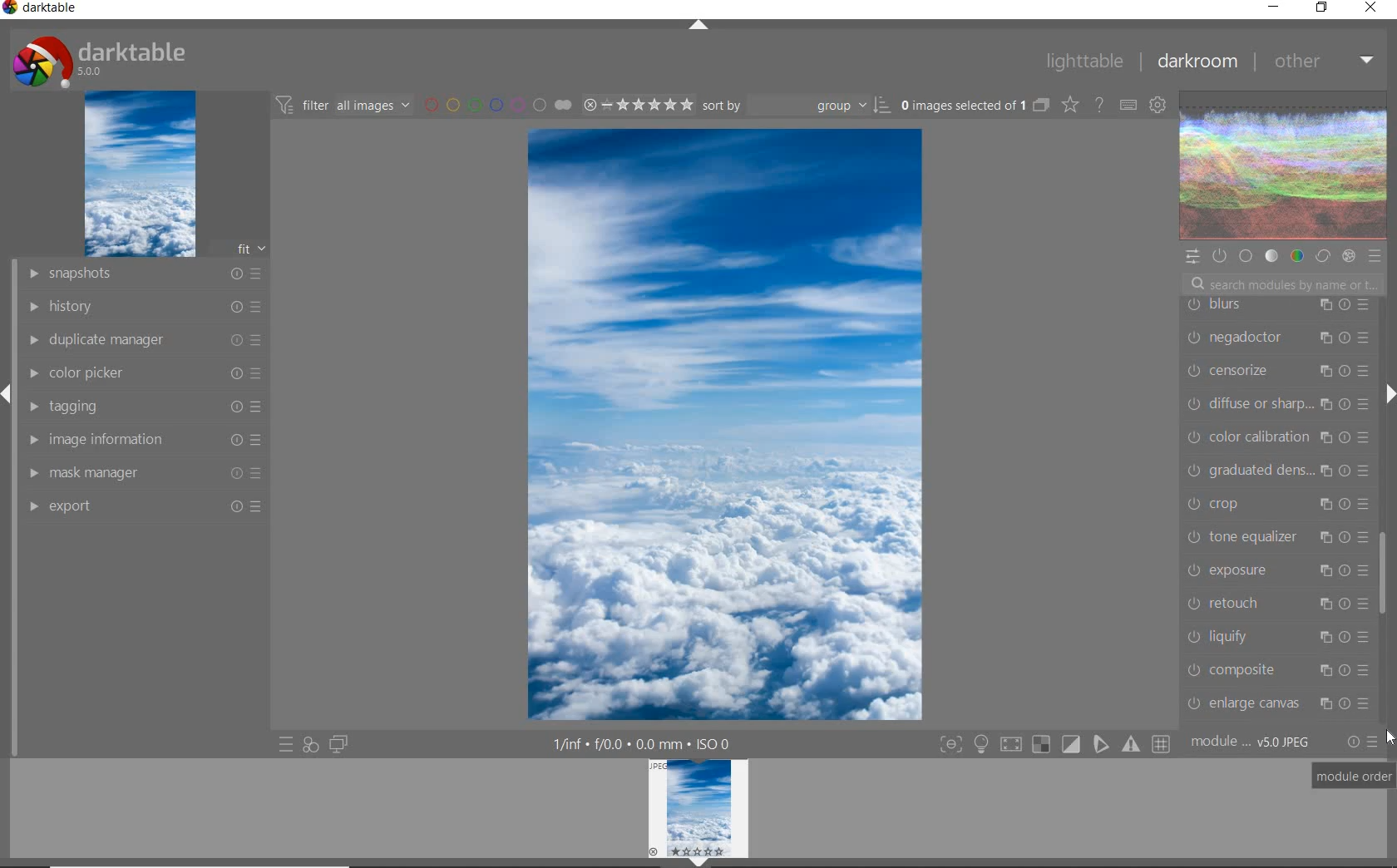 This screenshot has width=1397, height=868. Describe the element at coordinates (1042, 104) in the screenshot. I see `COLLAPSE GROUPED IMAGES` at that location.